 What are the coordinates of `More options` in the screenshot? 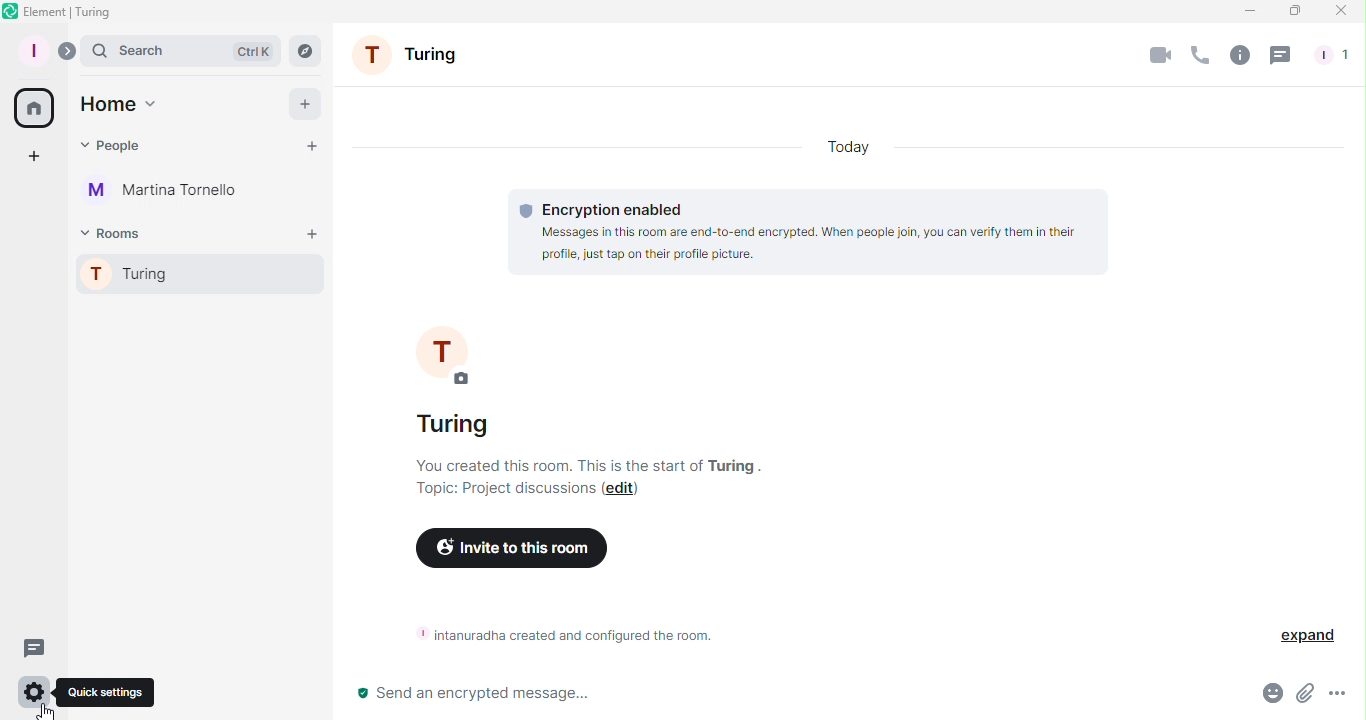 It's located at (1340, 697).